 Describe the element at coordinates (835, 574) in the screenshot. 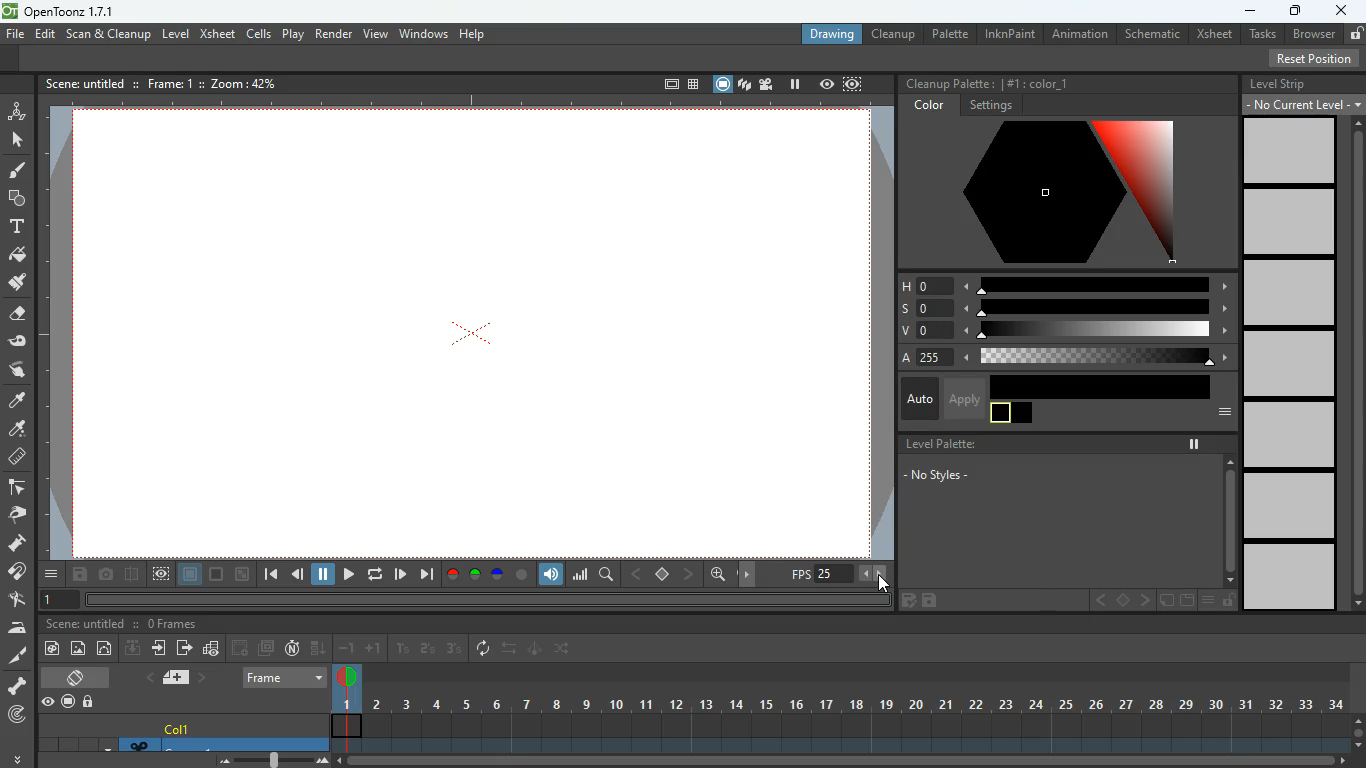

I see `25` at that location.